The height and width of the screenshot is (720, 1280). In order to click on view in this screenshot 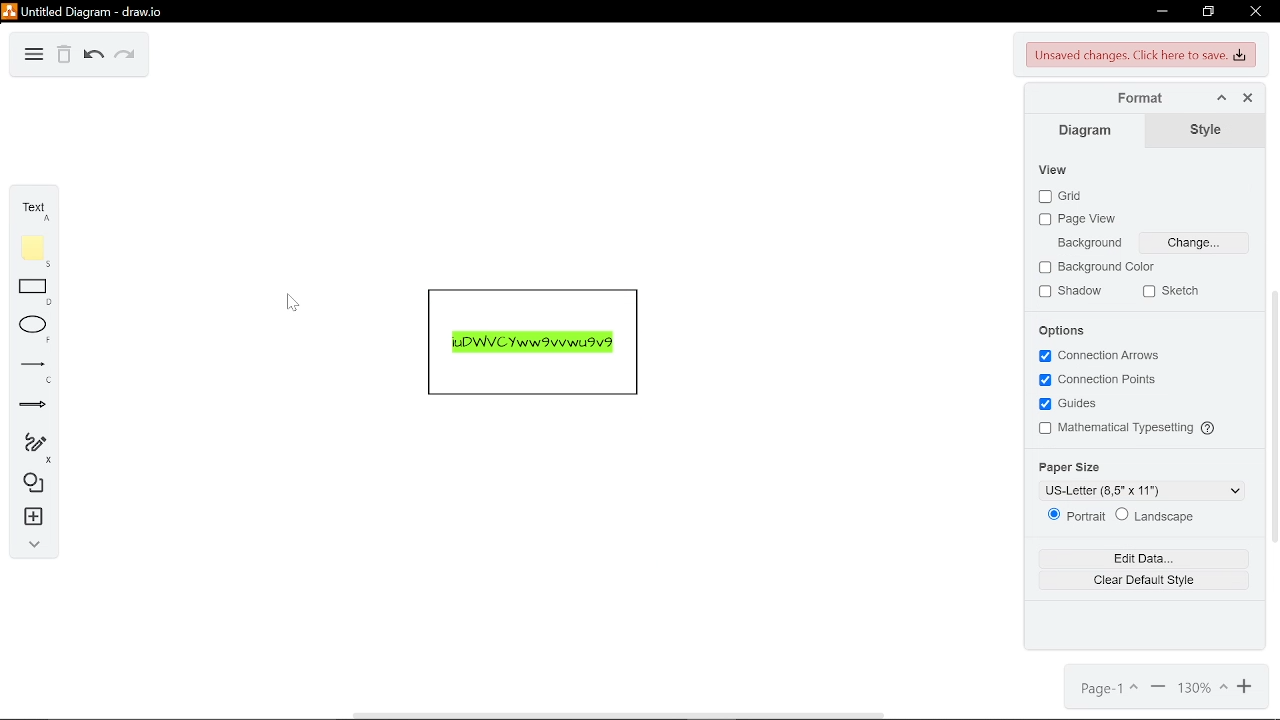, I will do `click(1054, 170)`.